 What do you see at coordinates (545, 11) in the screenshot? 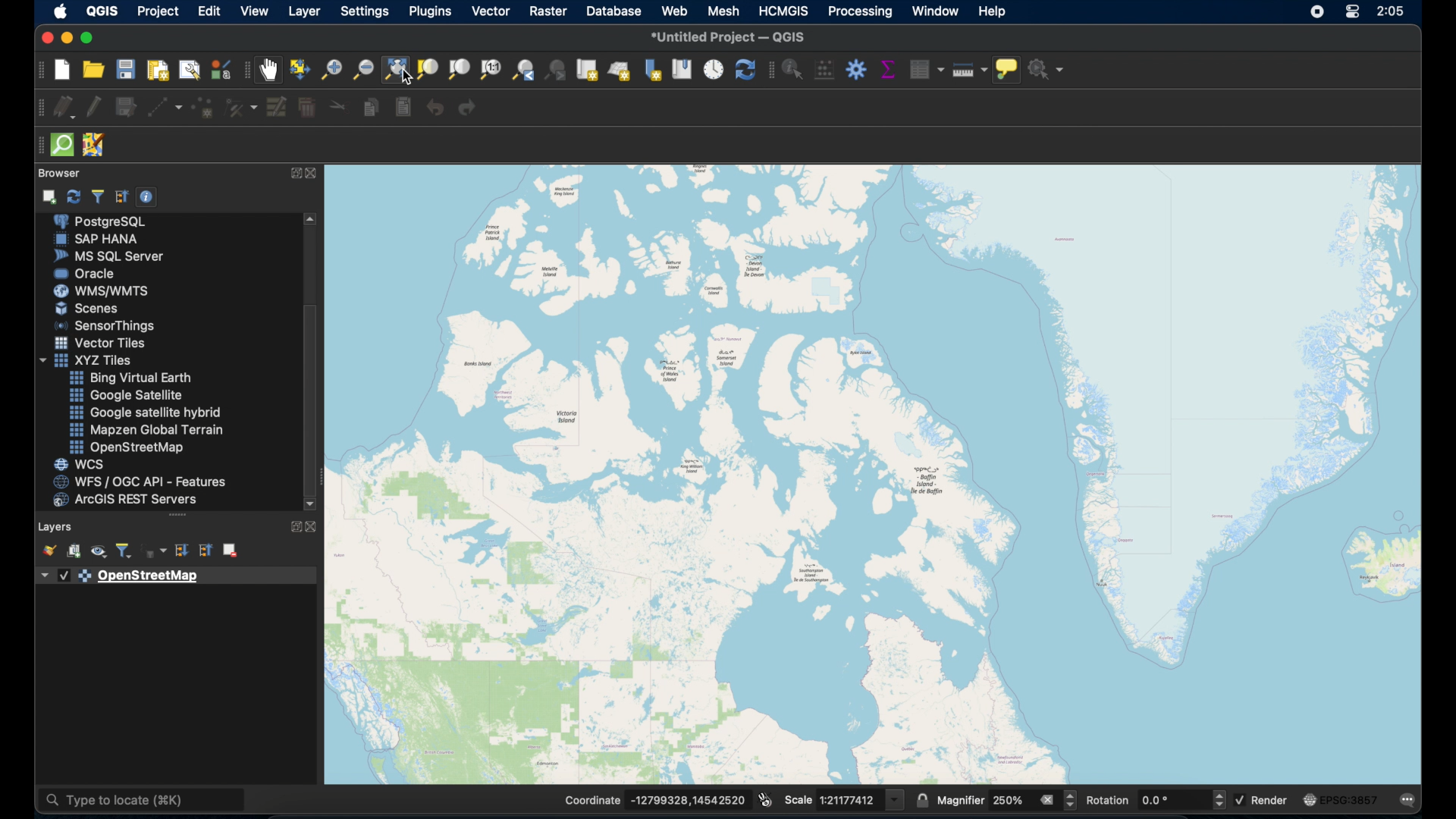
I see `raster` at bounding box center [545, 11].